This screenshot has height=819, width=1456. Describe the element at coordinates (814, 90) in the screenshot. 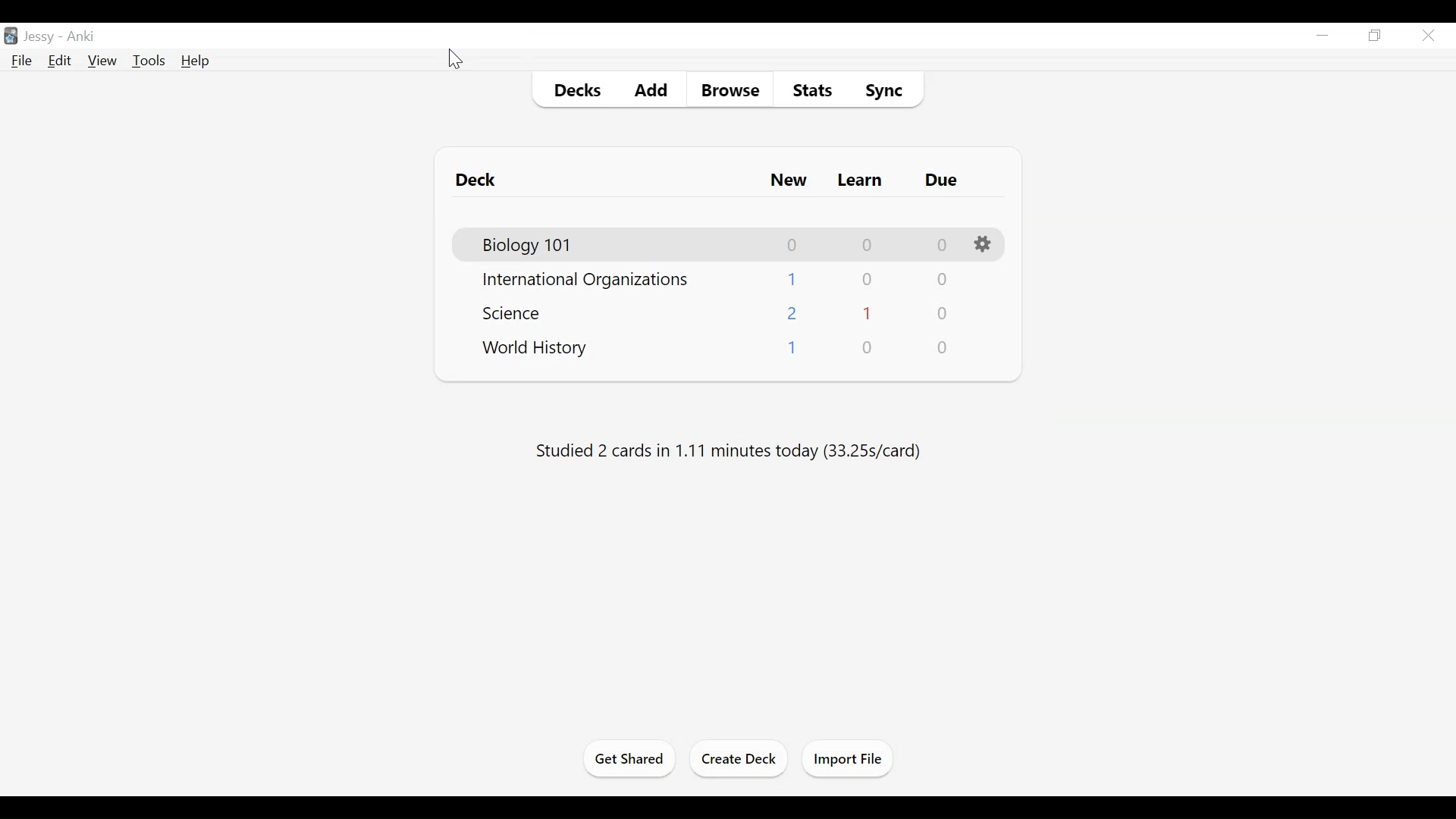

I see `Stats` at that location.